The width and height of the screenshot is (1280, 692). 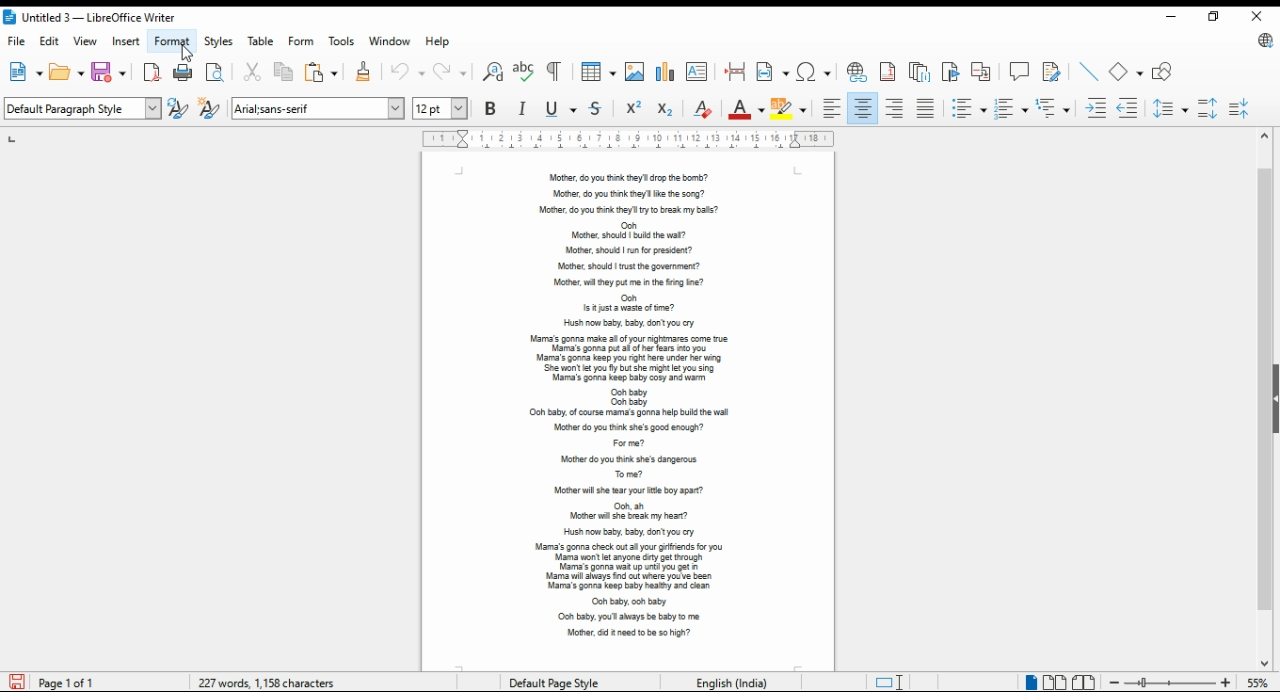 What do you see at coordinates (285, 72) in the screenshot?
I see `copy` at bounding box center [285, 72].